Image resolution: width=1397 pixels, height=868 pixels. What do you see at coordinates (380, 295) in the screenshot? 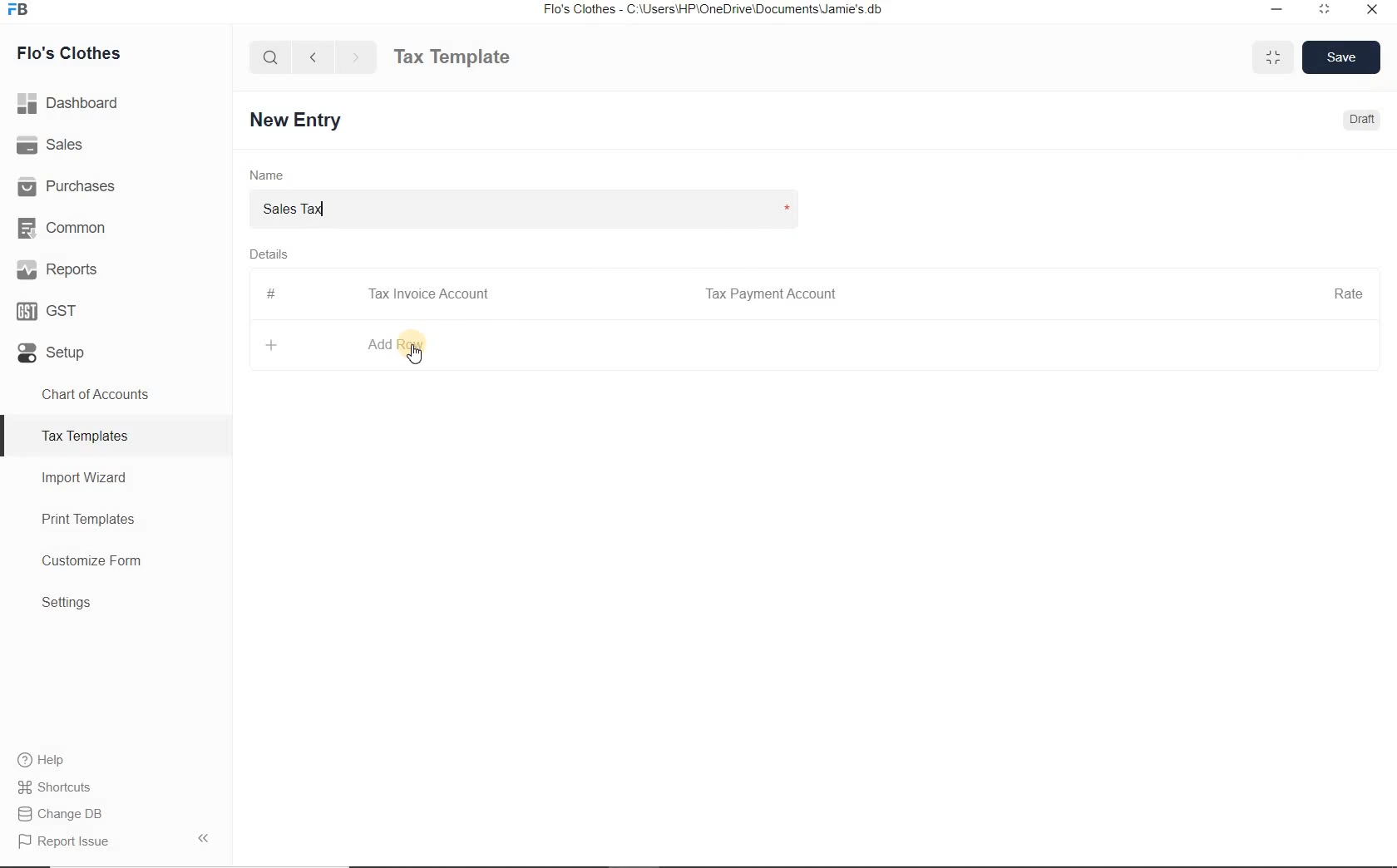
I see `# Tax Invoice Account` at bounding box center [380, 295].